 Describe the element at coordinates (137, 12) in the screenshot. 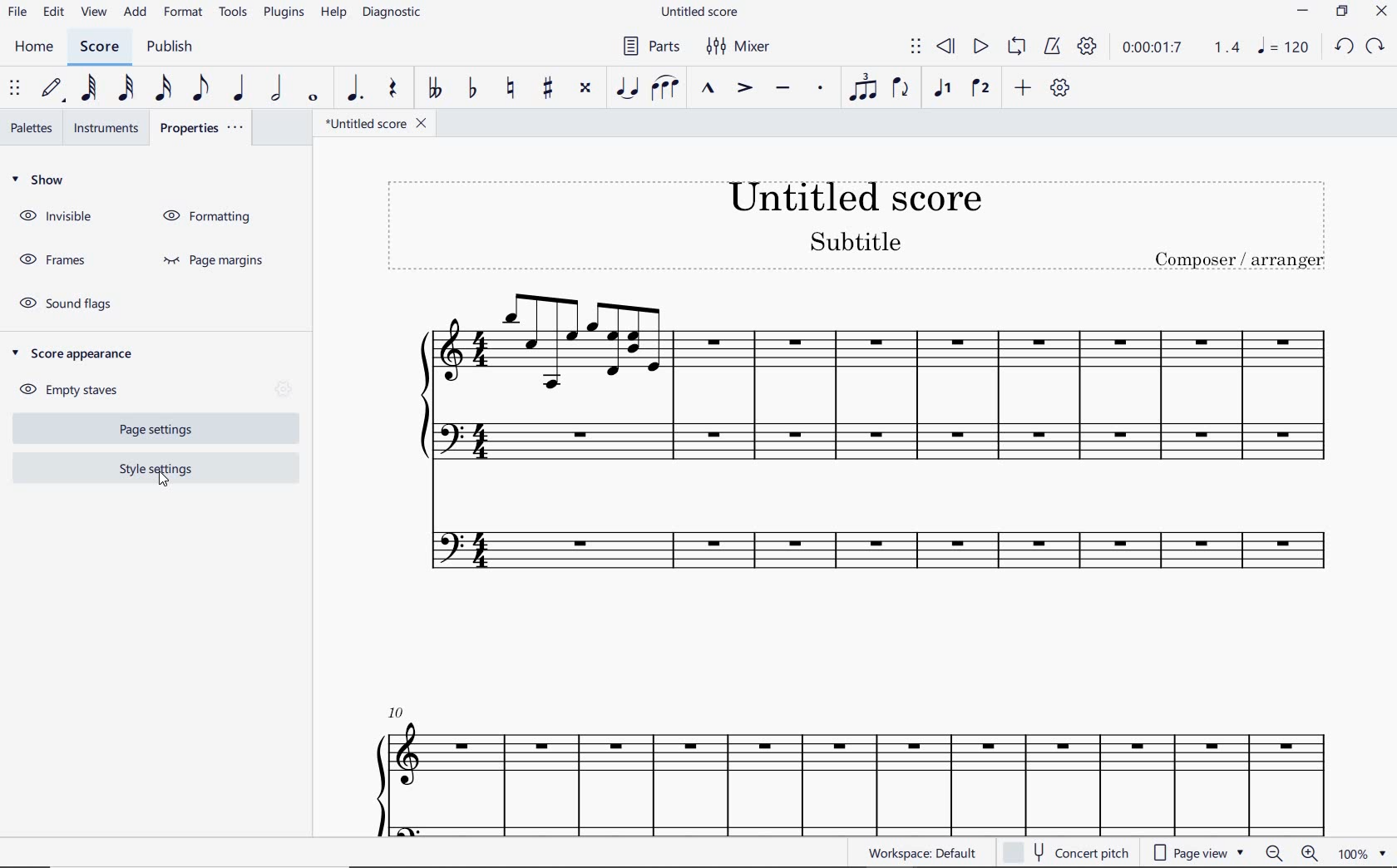

I see `ADD` at that location.